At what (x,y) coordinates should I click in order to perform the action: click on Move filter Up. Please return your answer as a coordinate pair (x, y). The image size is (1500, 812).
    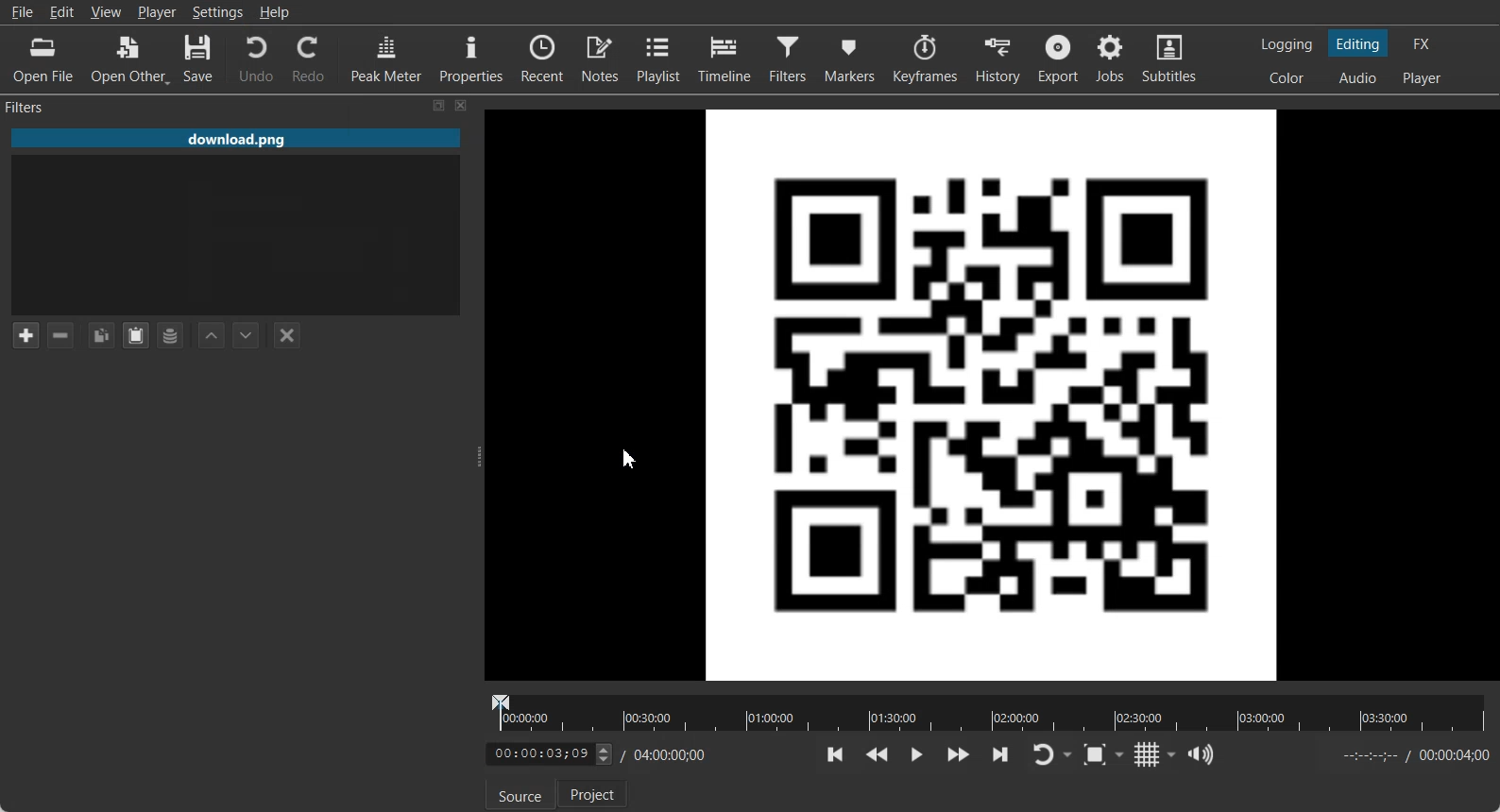
    Looking at the image, I should click on (212, 335).